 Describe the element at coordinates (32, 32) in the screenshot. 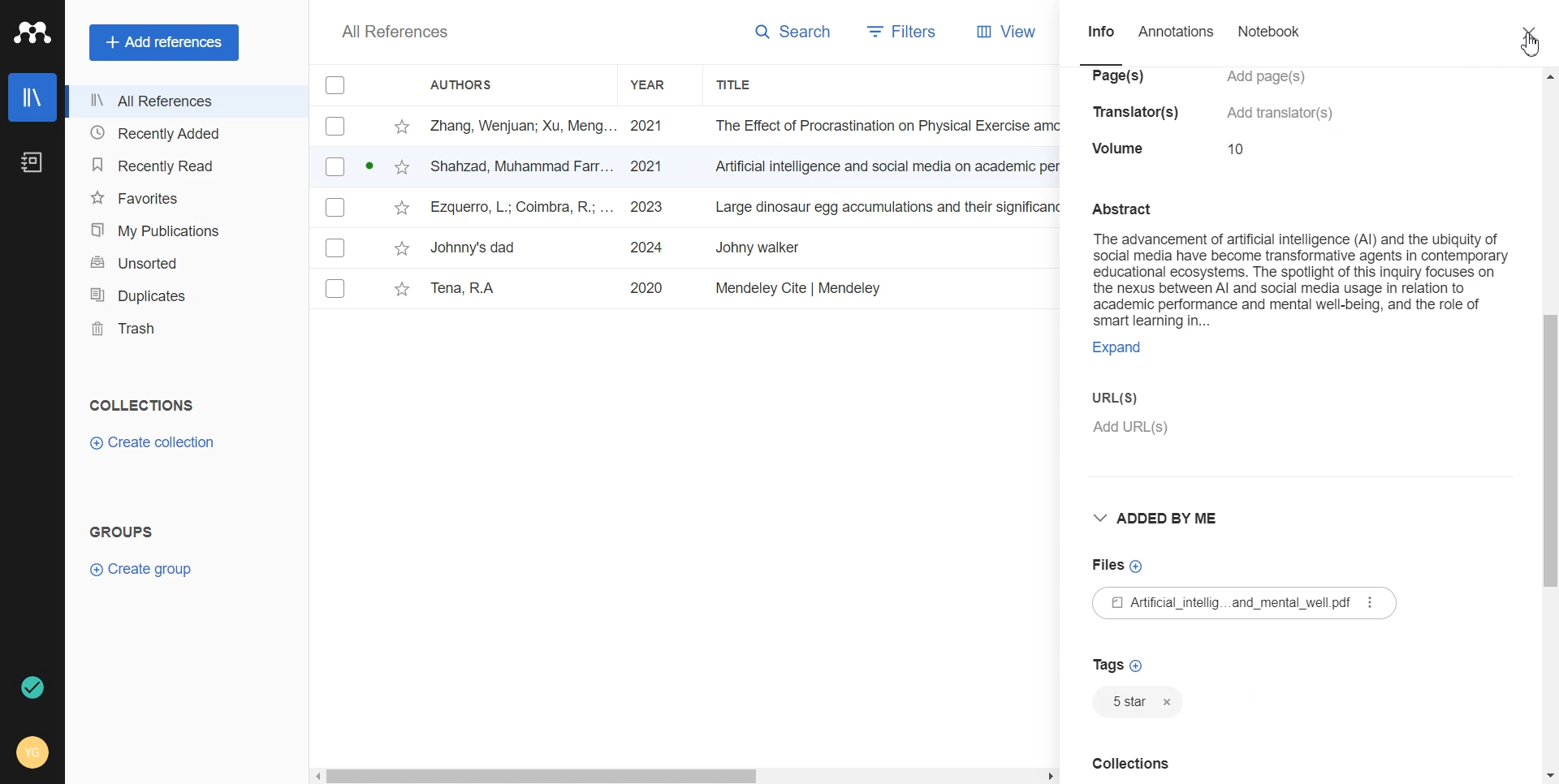

I see `Logo` at that location.